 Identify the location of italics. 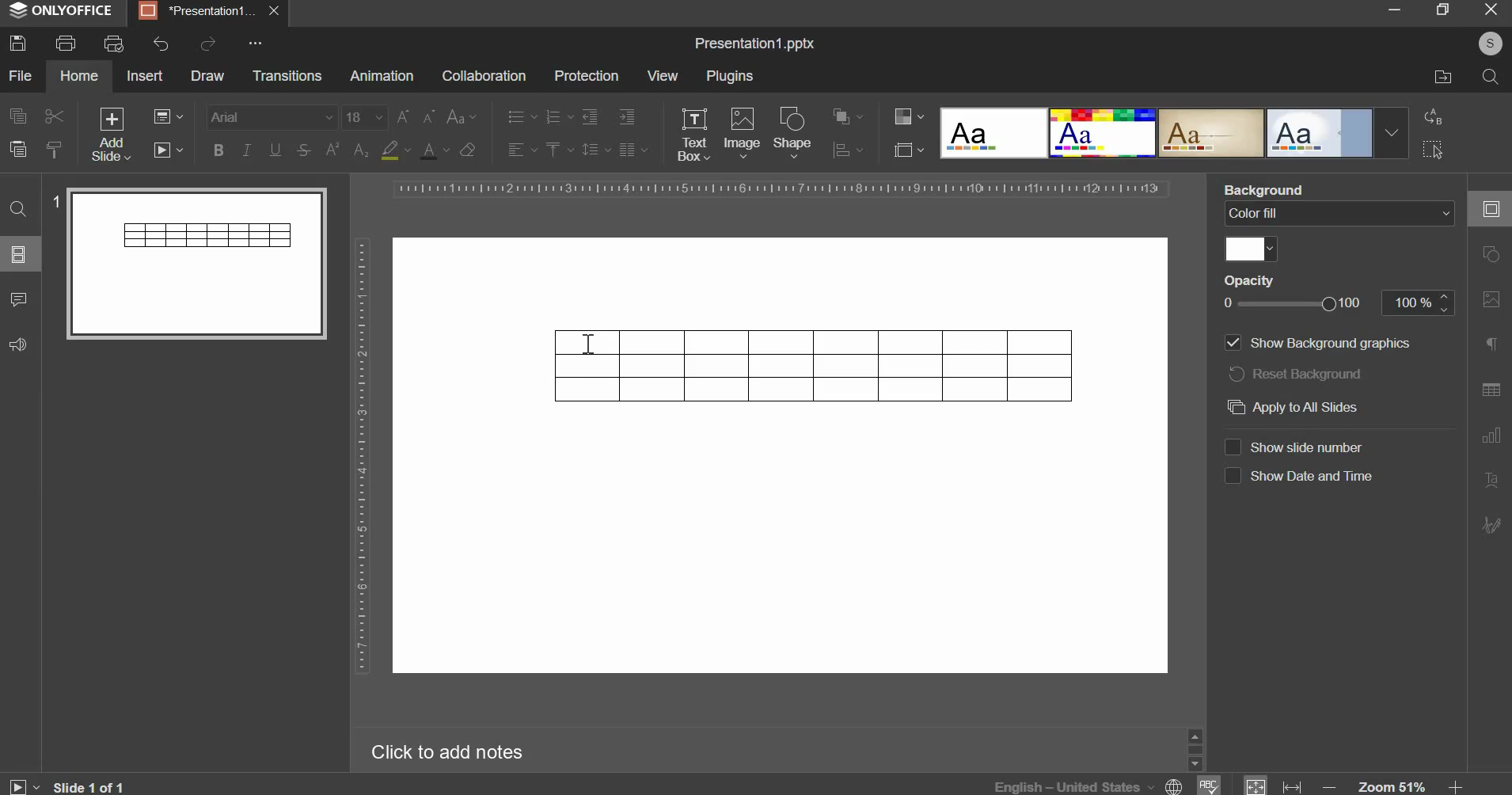
(246, 149).